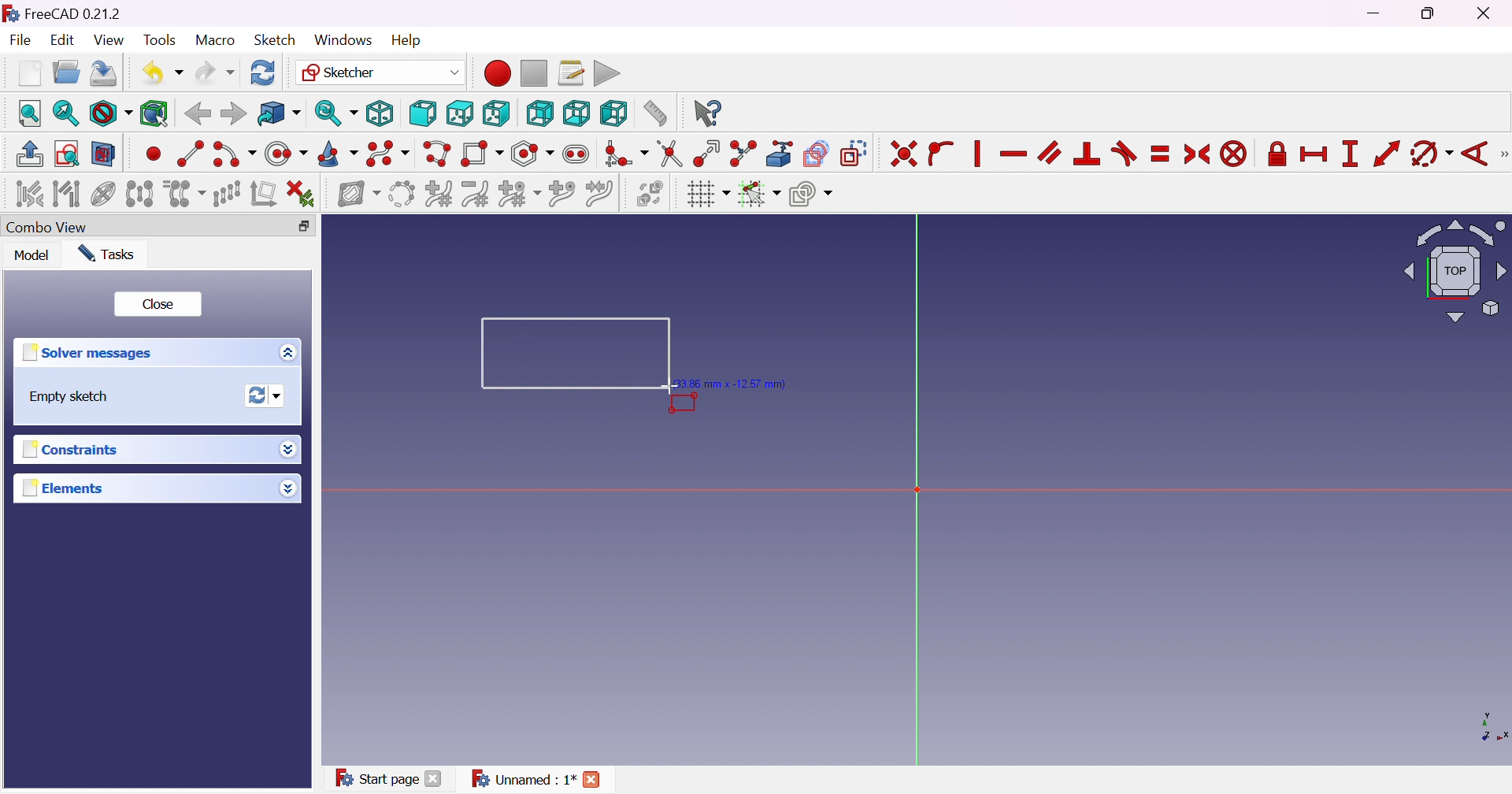 This screenshot has width=1512, height=794. Describe the element at coordinates (435, 780) in the screenshot. I see `Close` at that location.